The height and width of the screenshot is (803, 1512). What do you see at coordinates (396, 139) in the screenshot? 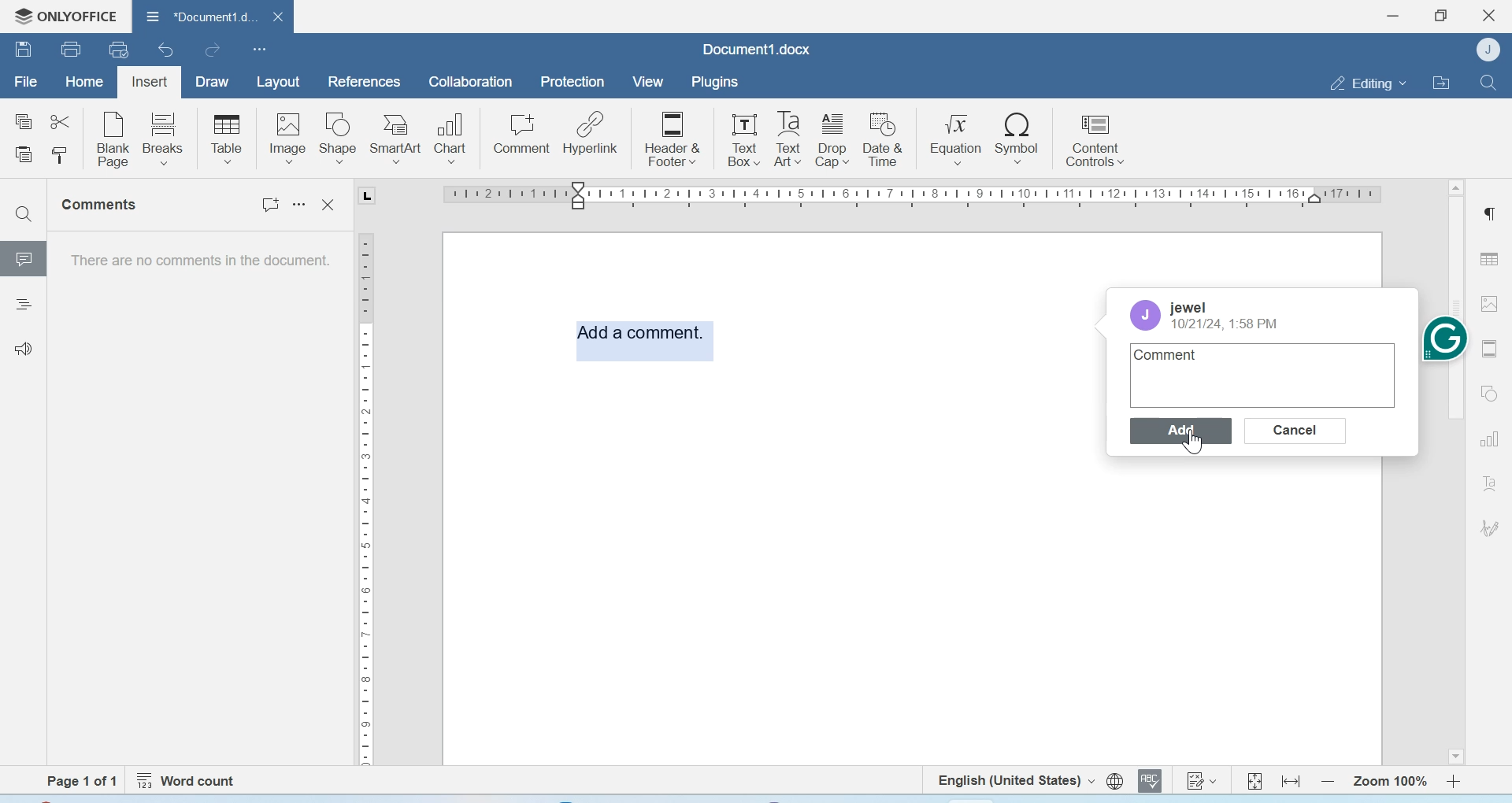
I see `SmartArt` at bounding box center [396, 139].